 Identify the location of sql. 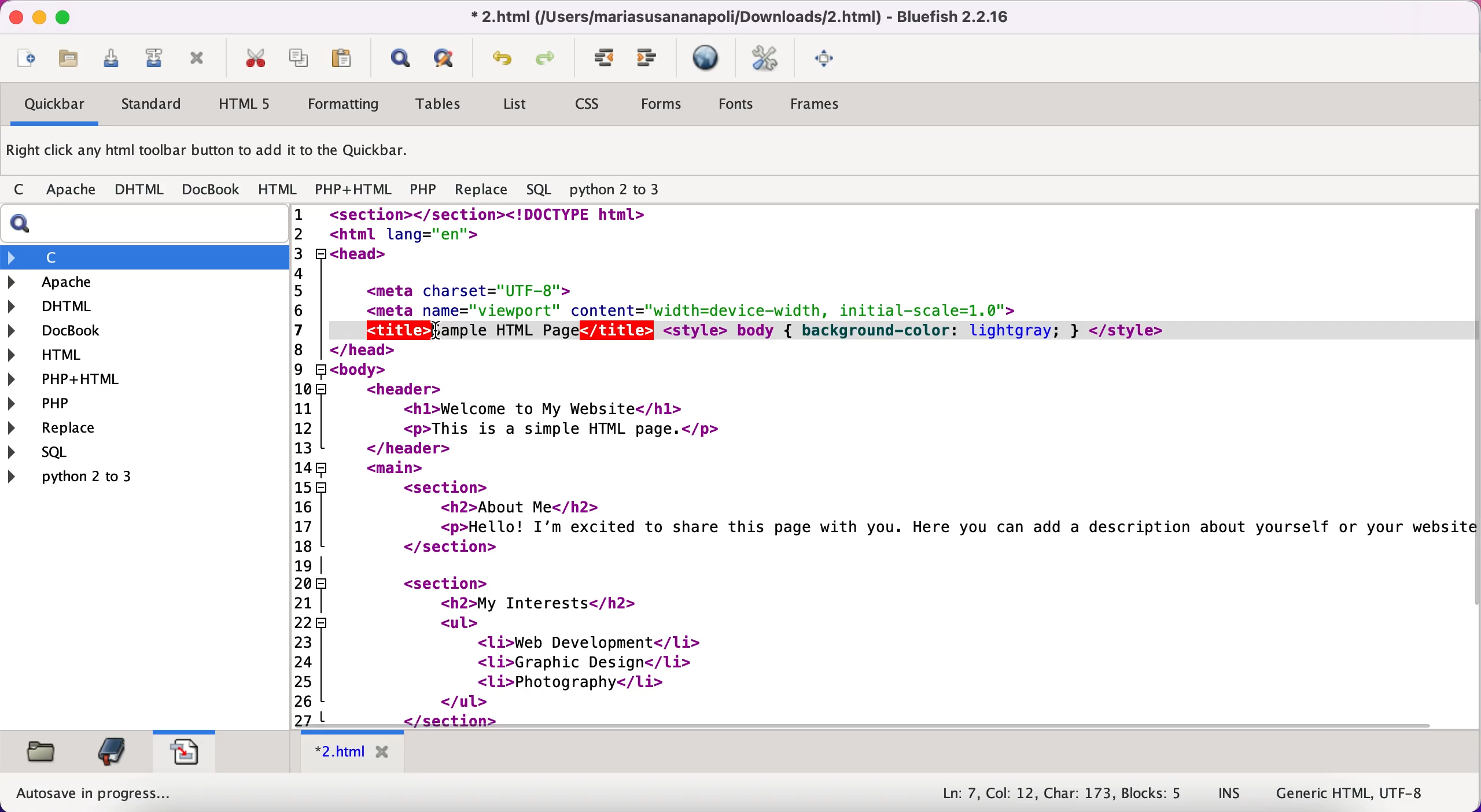
(541, 190).